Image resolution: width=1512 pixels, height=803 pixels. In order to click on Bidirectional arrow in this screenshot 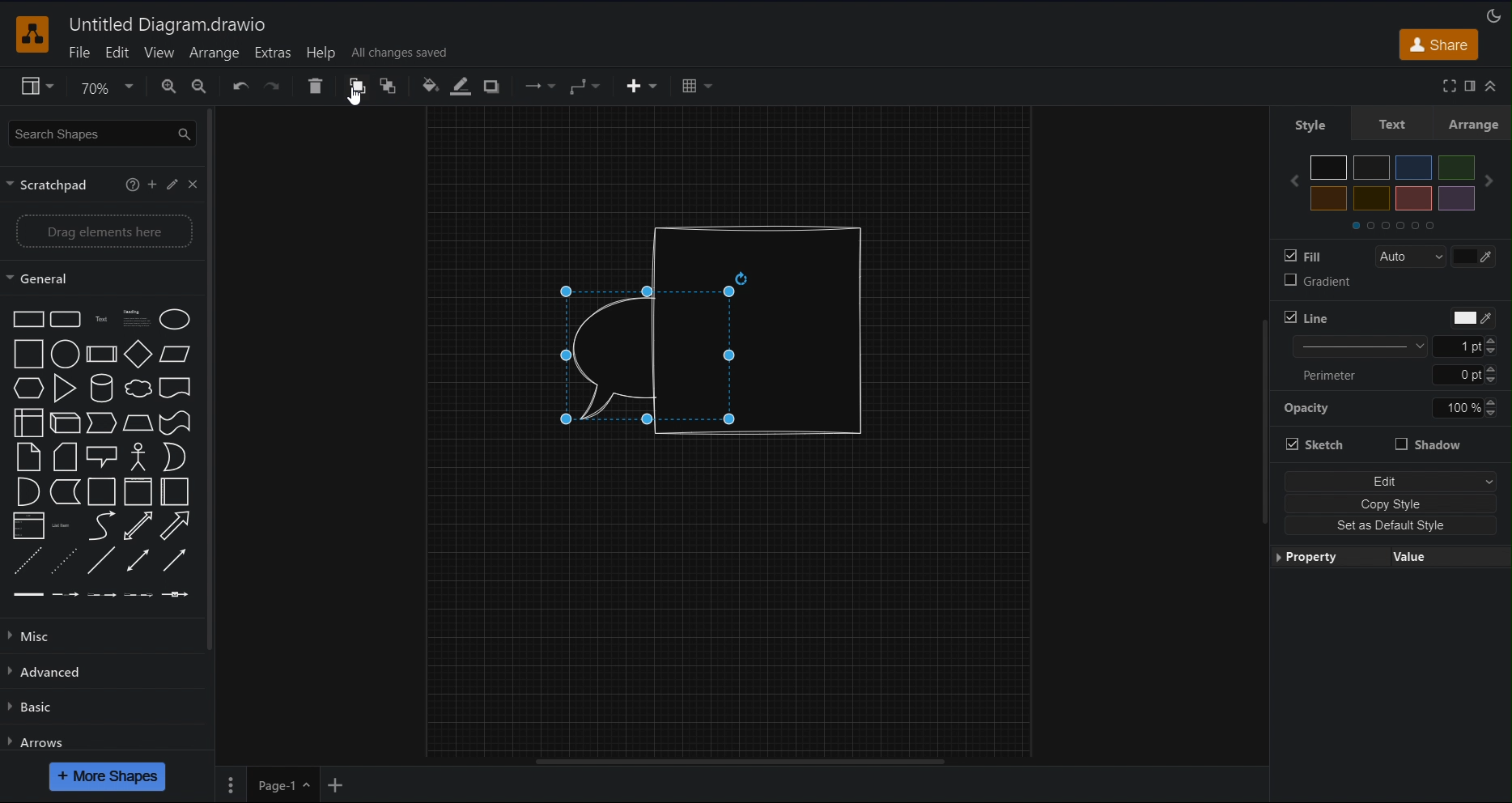, I will do `click(138, 525)`.